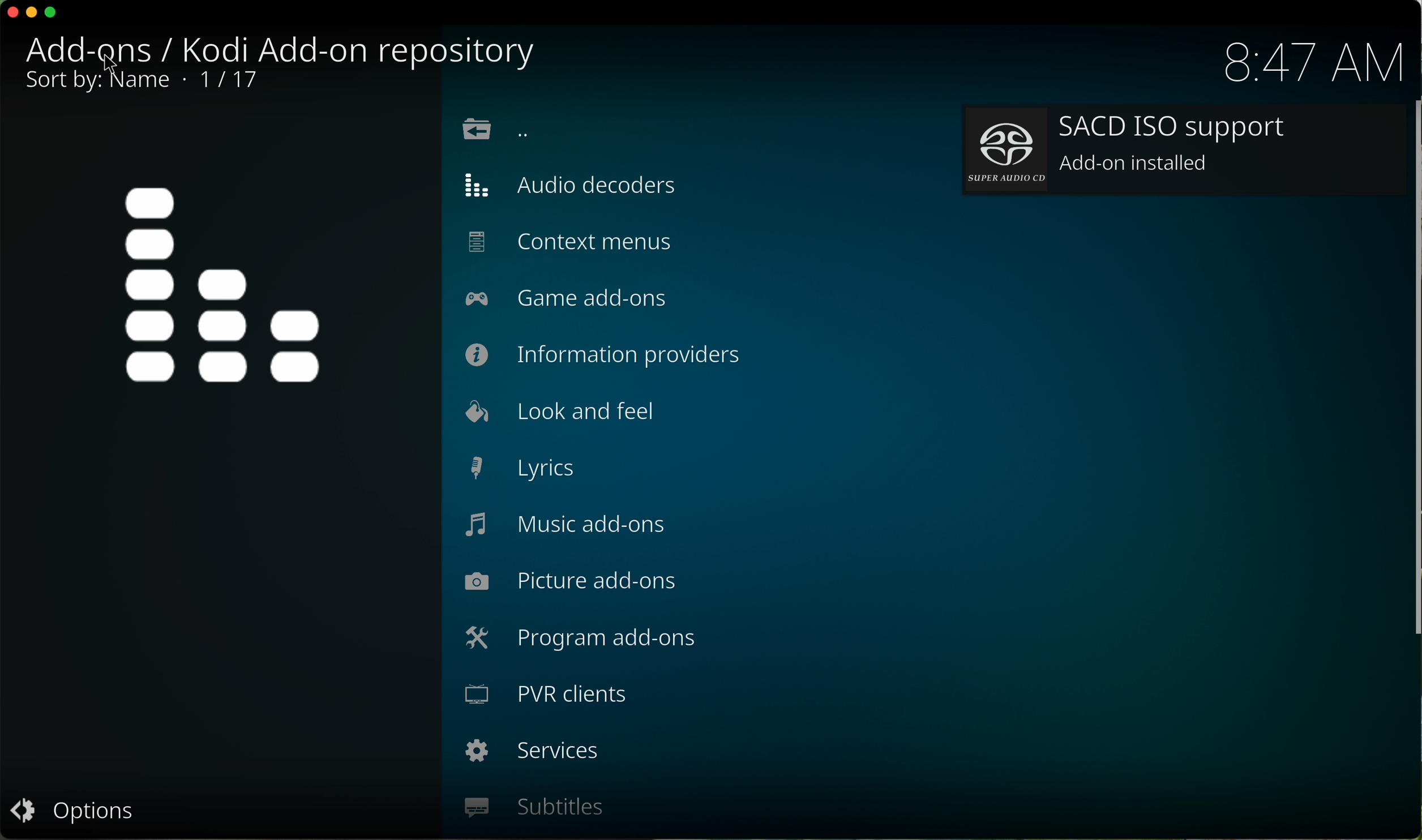 The image size is (1422, 840). Describe the element at coordinates (582, 642) in the screenshot. I see `program add-ons` at that location.